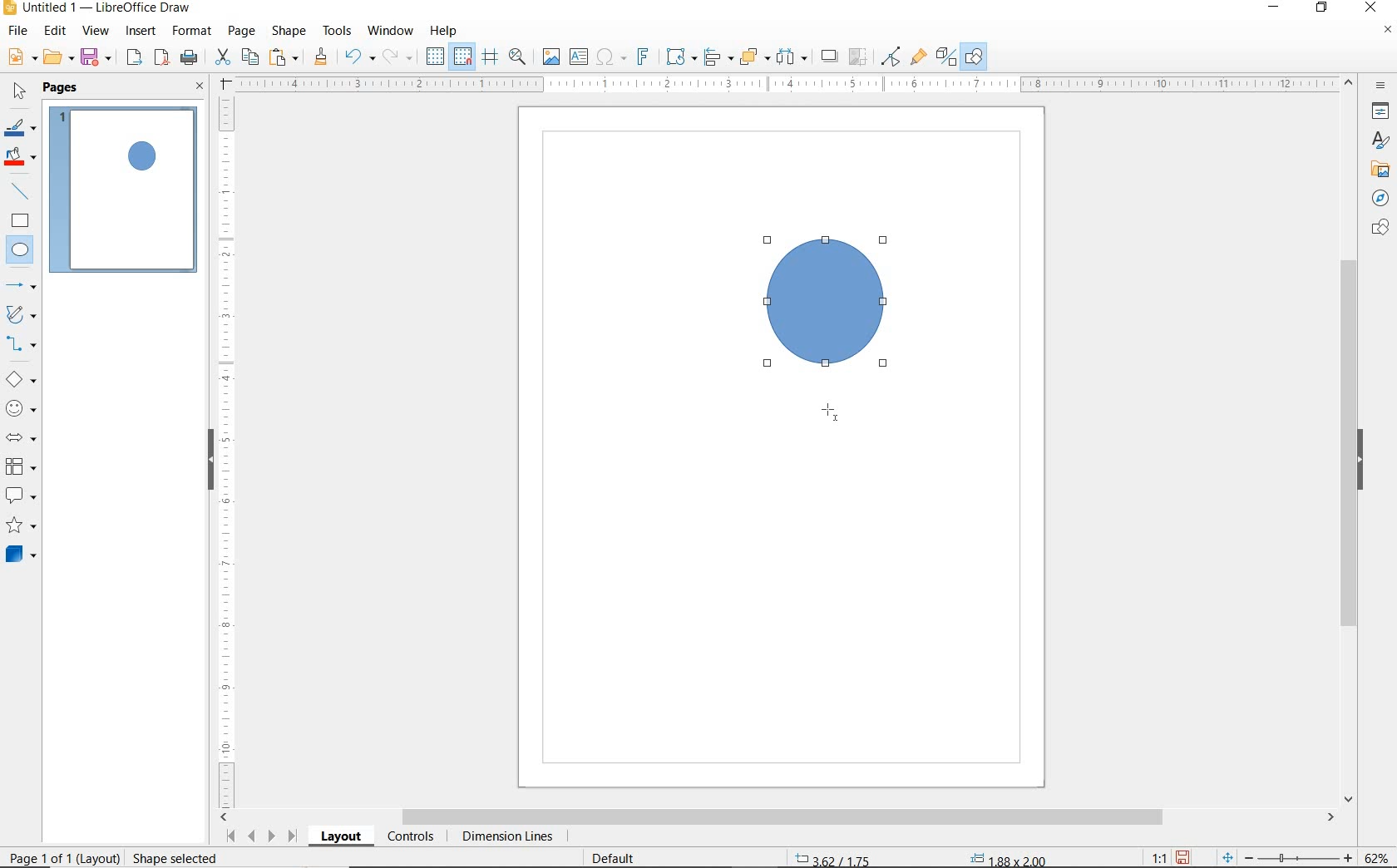  What do you see at coordinates (21, 527) in the screenshot?
I see `STARS AND BANNERS` at bounding box center [21, 527].